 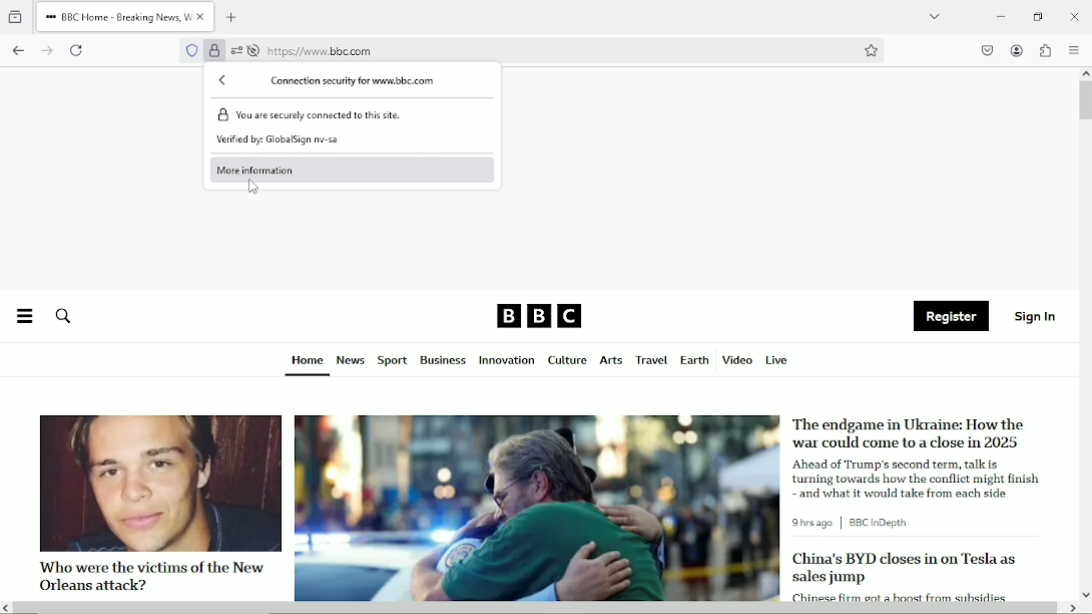 I want to click on Home, so click(x=306, y=360).